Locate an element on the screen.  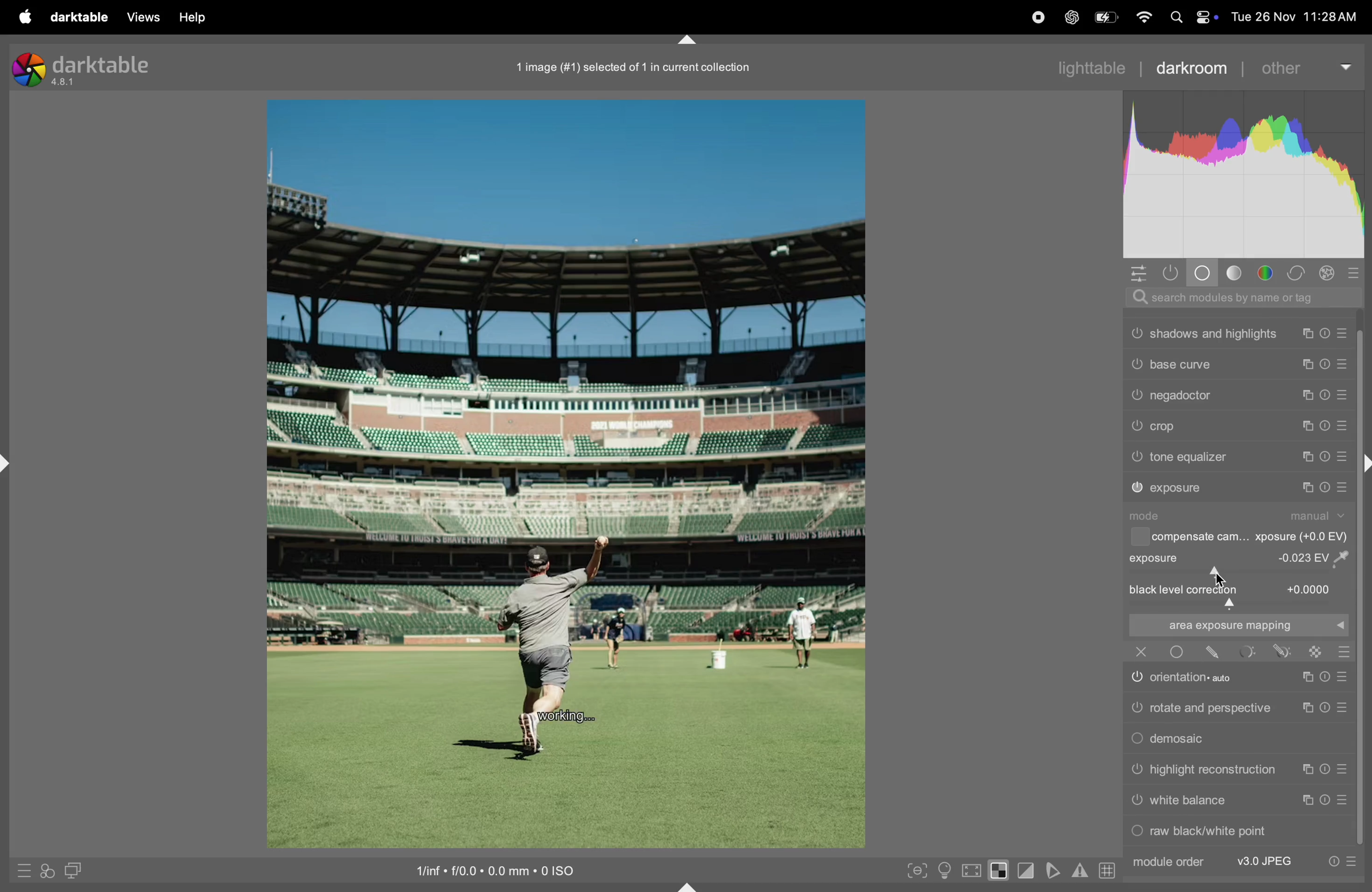
darkroom is located at coordinates (1189, 67).